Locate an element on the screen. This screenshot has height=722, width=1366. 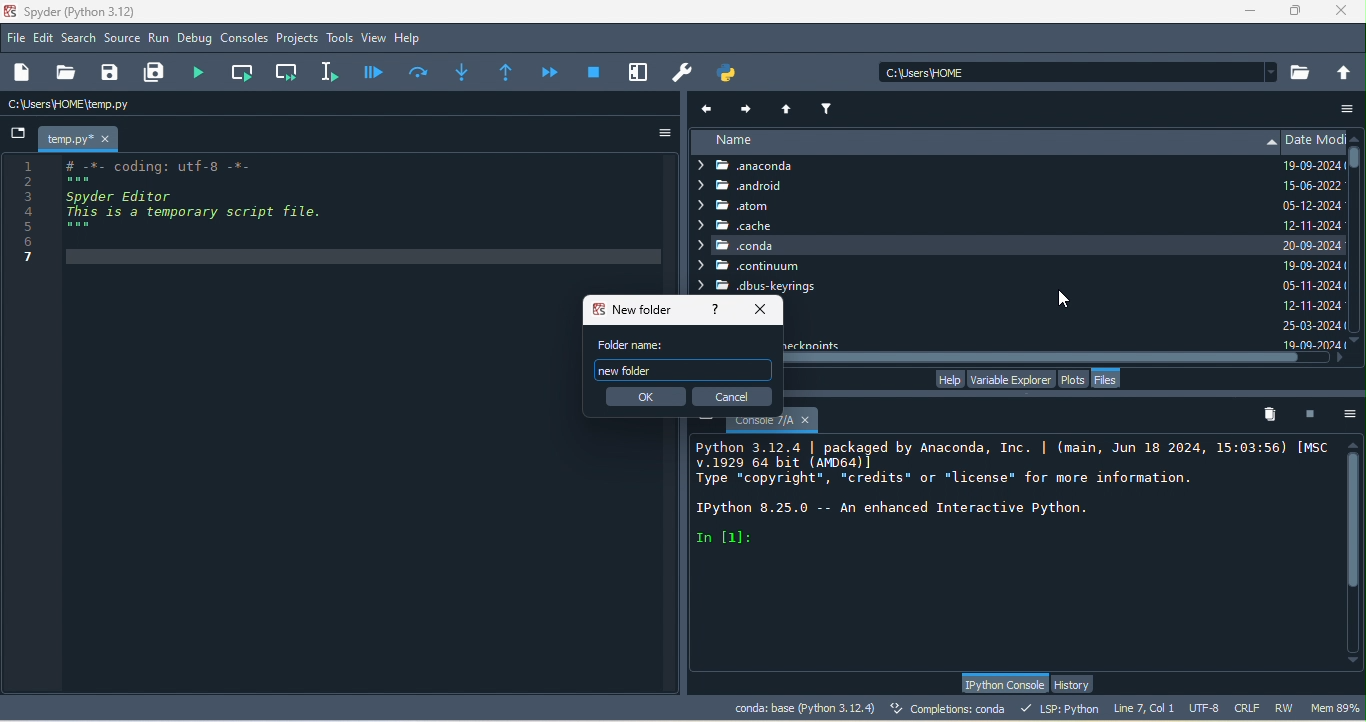
edit is located at coordinates (45, 39).